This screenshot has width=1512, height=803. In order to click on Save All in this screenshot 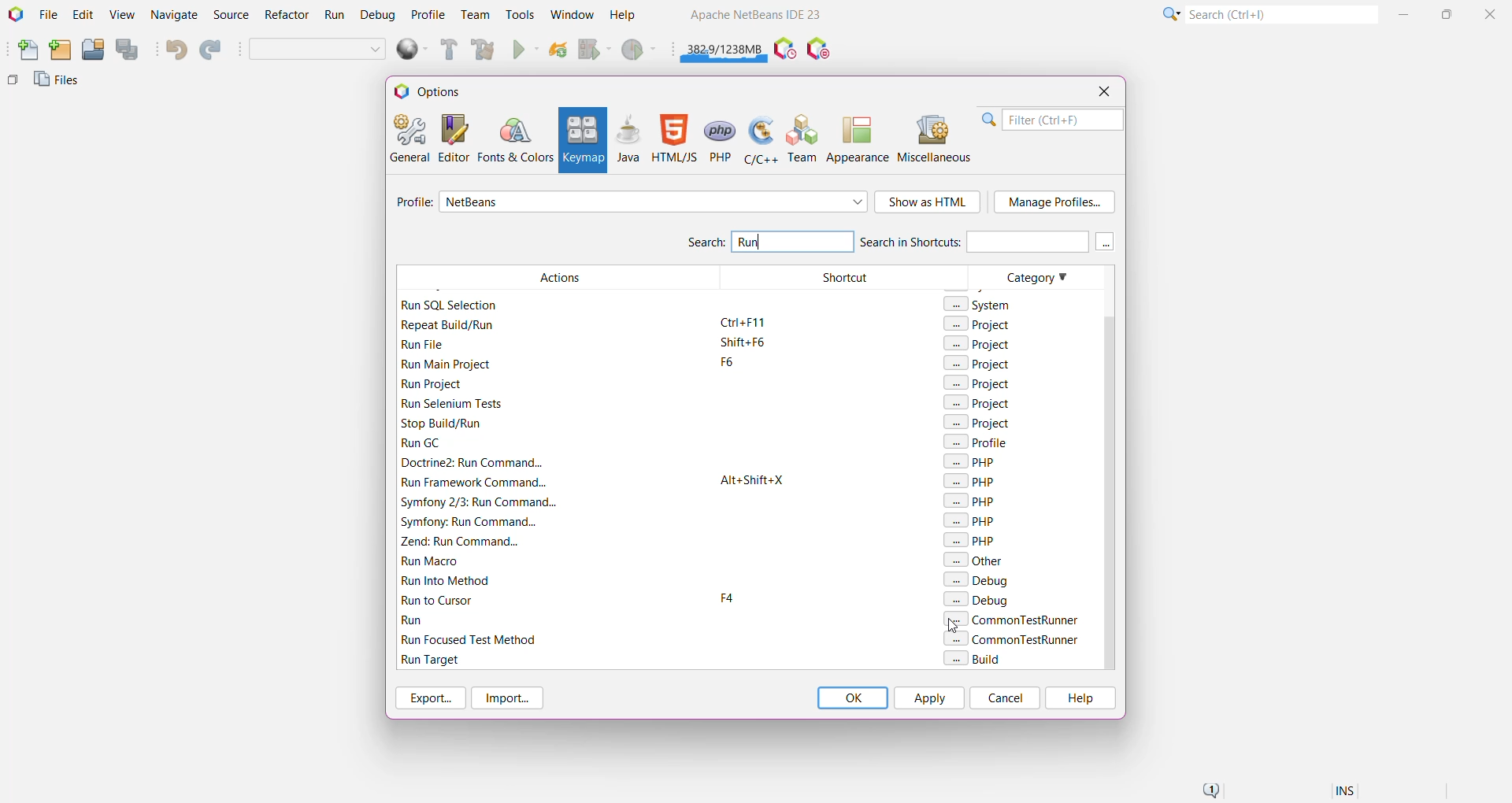, I will do `click(128, 50)`.